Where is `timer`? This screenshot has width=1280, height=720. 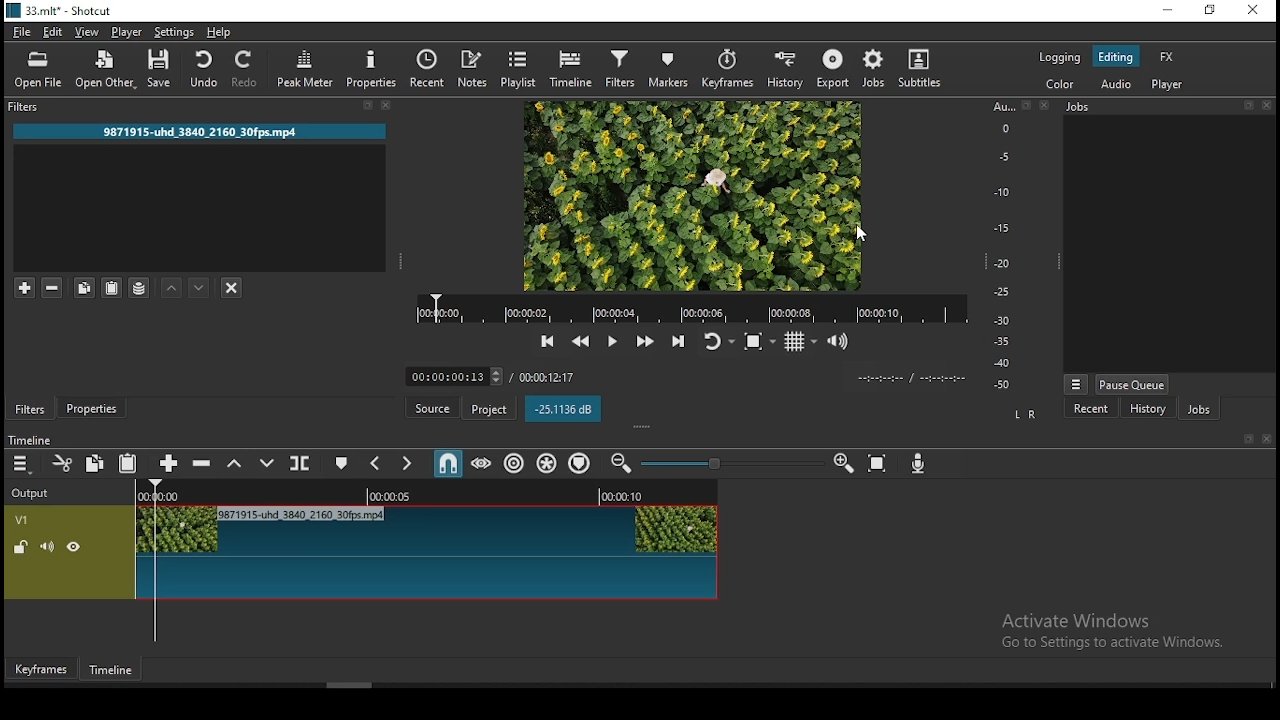 timer is located at coordinates (495, 376).